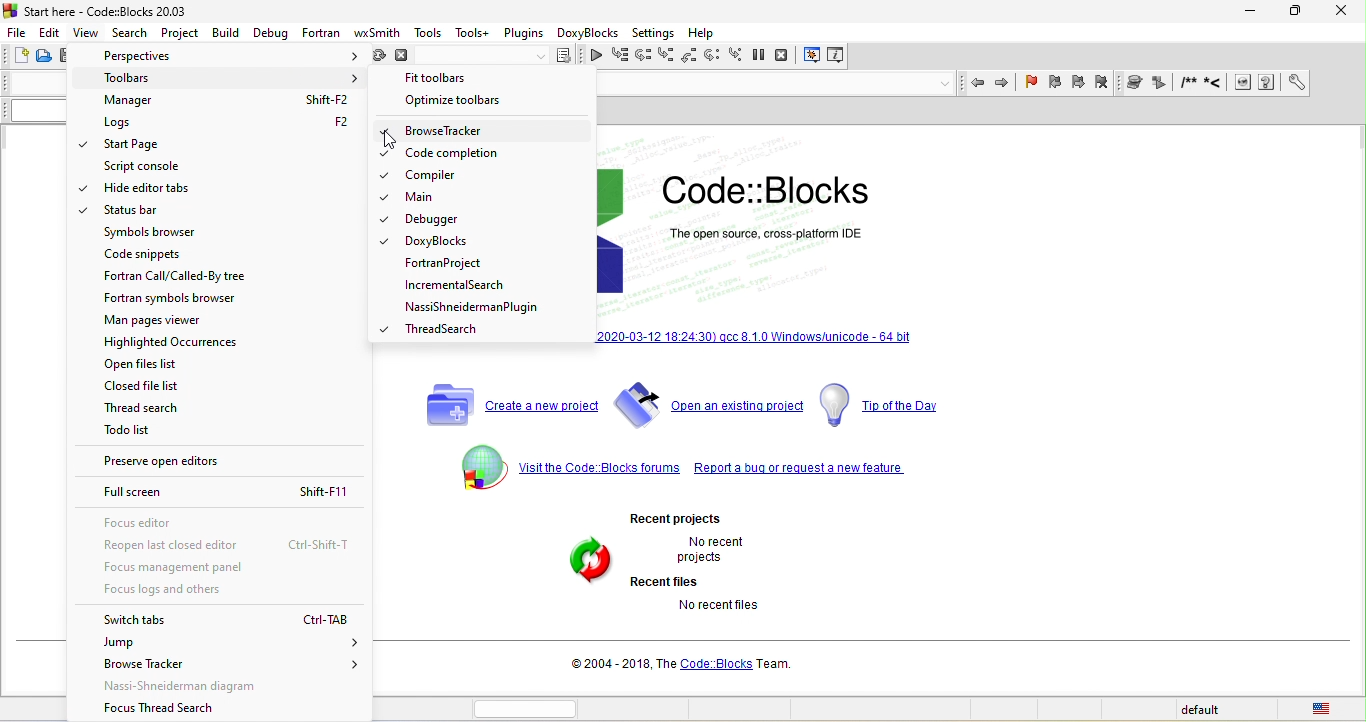  What do you see at coordinates (370, 93) in the screenshot?
I see `cursor movement` at bounding box center [370, 93].